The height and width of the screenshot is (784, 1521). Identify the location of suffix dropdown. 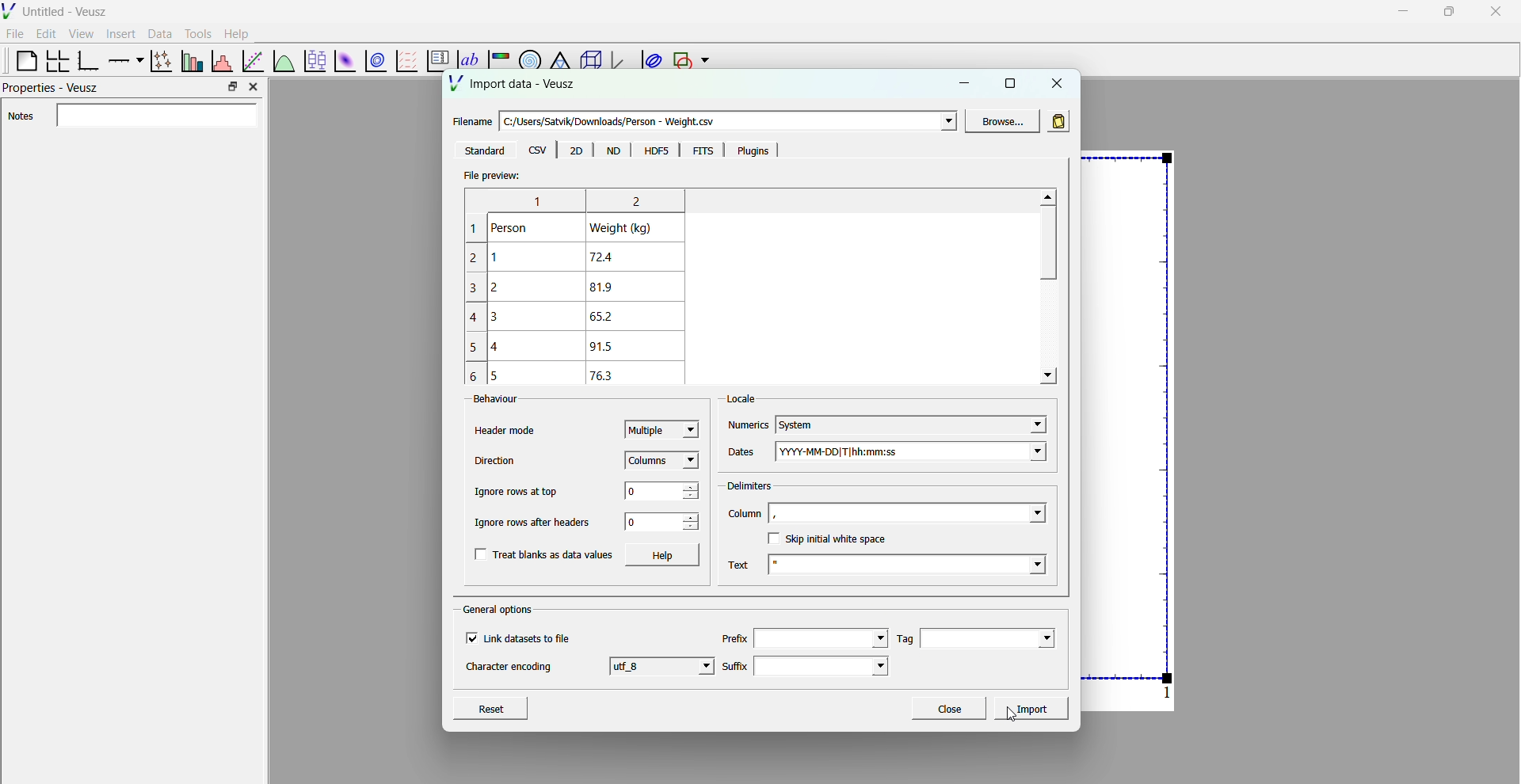
(829, 666).